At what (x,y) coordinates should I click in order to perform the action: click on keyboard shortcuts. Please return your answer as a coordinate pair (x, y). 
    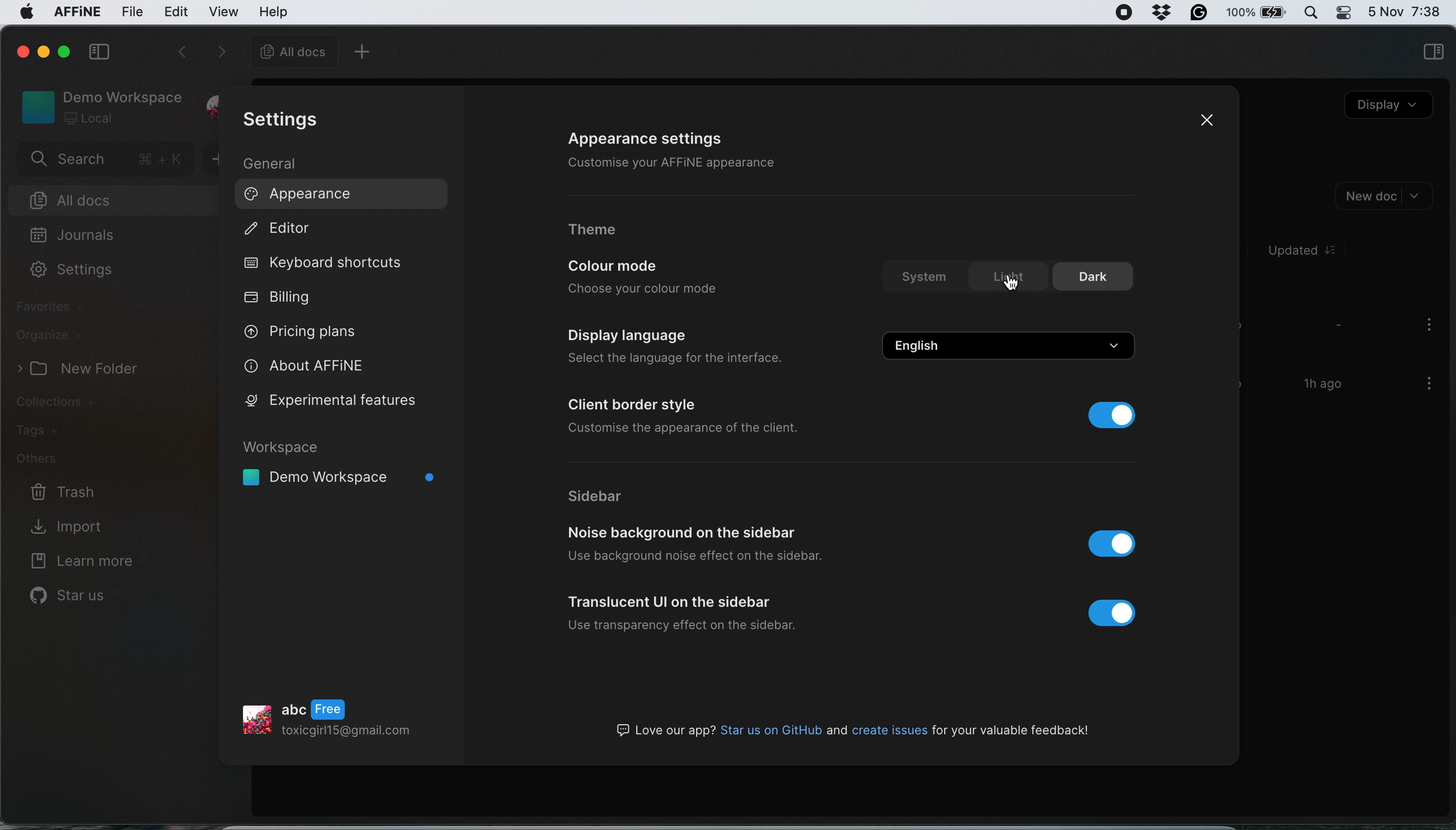
    Looking at the image, I should click on (327, 262).